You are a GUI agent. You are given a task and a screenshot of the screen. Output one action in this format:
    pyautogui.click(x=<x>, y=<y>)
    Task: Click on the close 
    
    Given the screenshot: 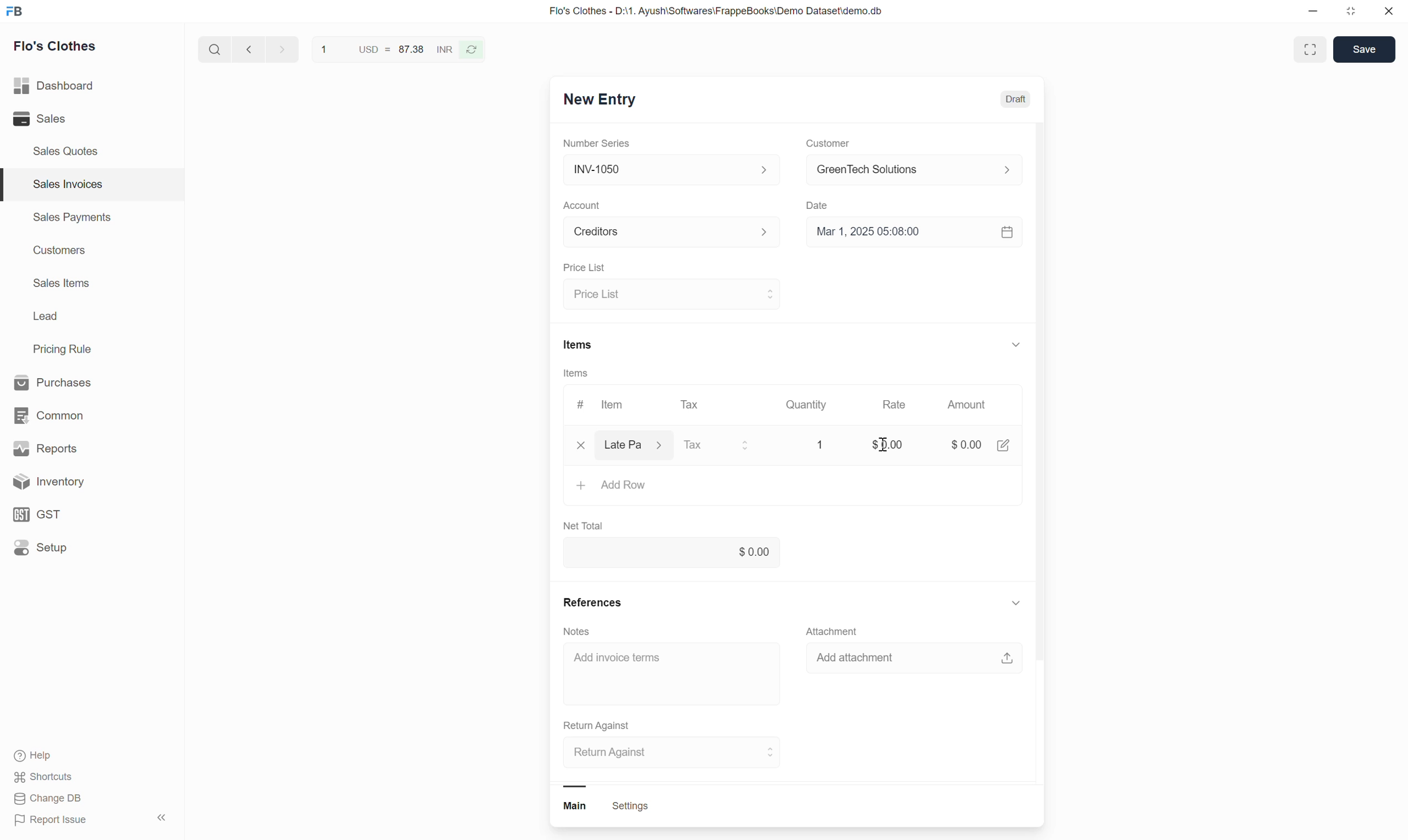 What is the action you would take?
    pyautogui.click(x=1390, y=12)
    